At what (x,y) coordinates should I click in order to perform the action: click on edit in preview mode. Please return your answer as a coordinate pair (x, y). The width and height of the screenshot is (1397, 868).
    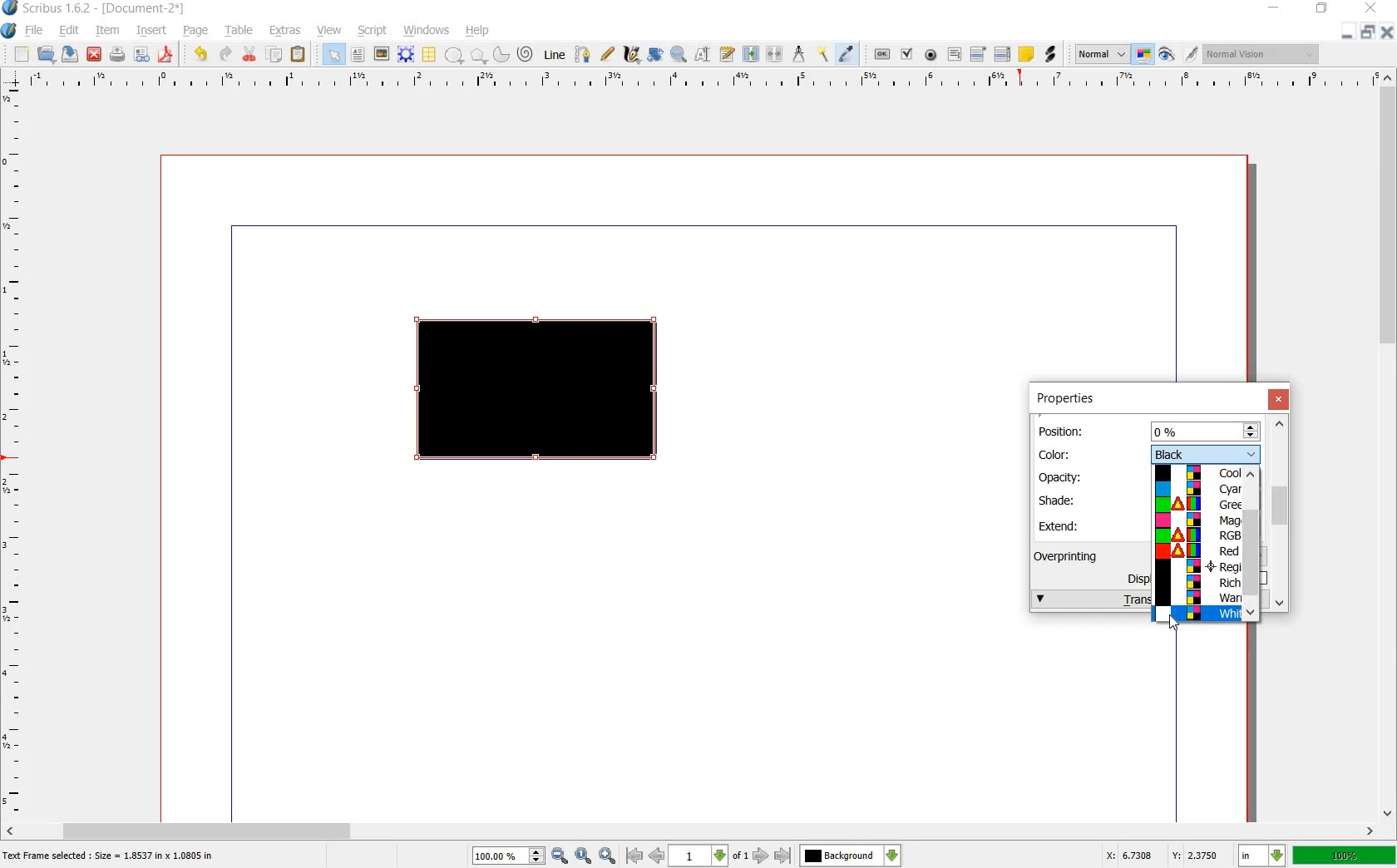
    Looking at the image, I should click on (1192, 55).